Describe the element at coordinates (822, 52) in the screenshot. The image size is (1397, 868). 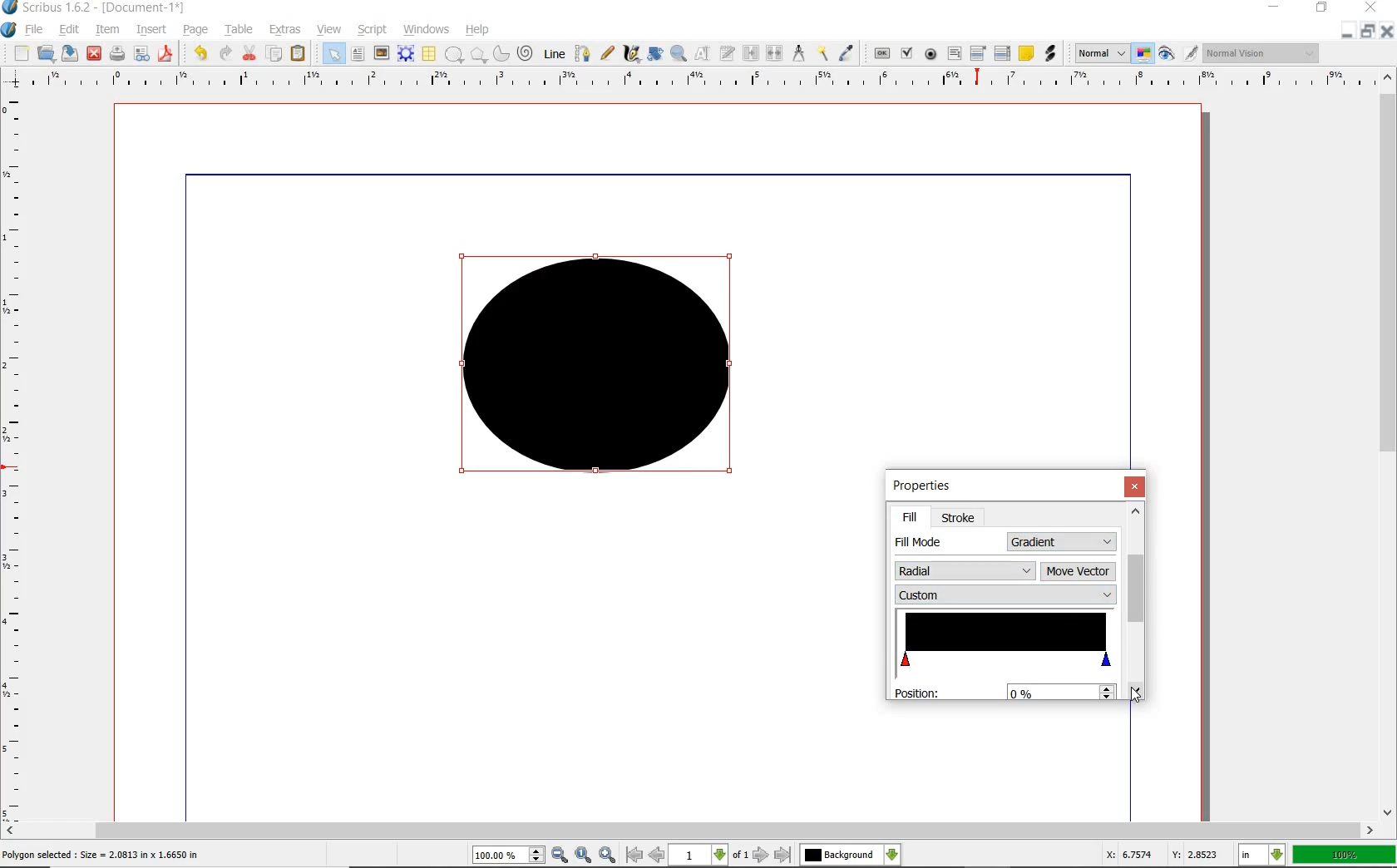
I see `COPY ITEM PROPERTIES` at that location.